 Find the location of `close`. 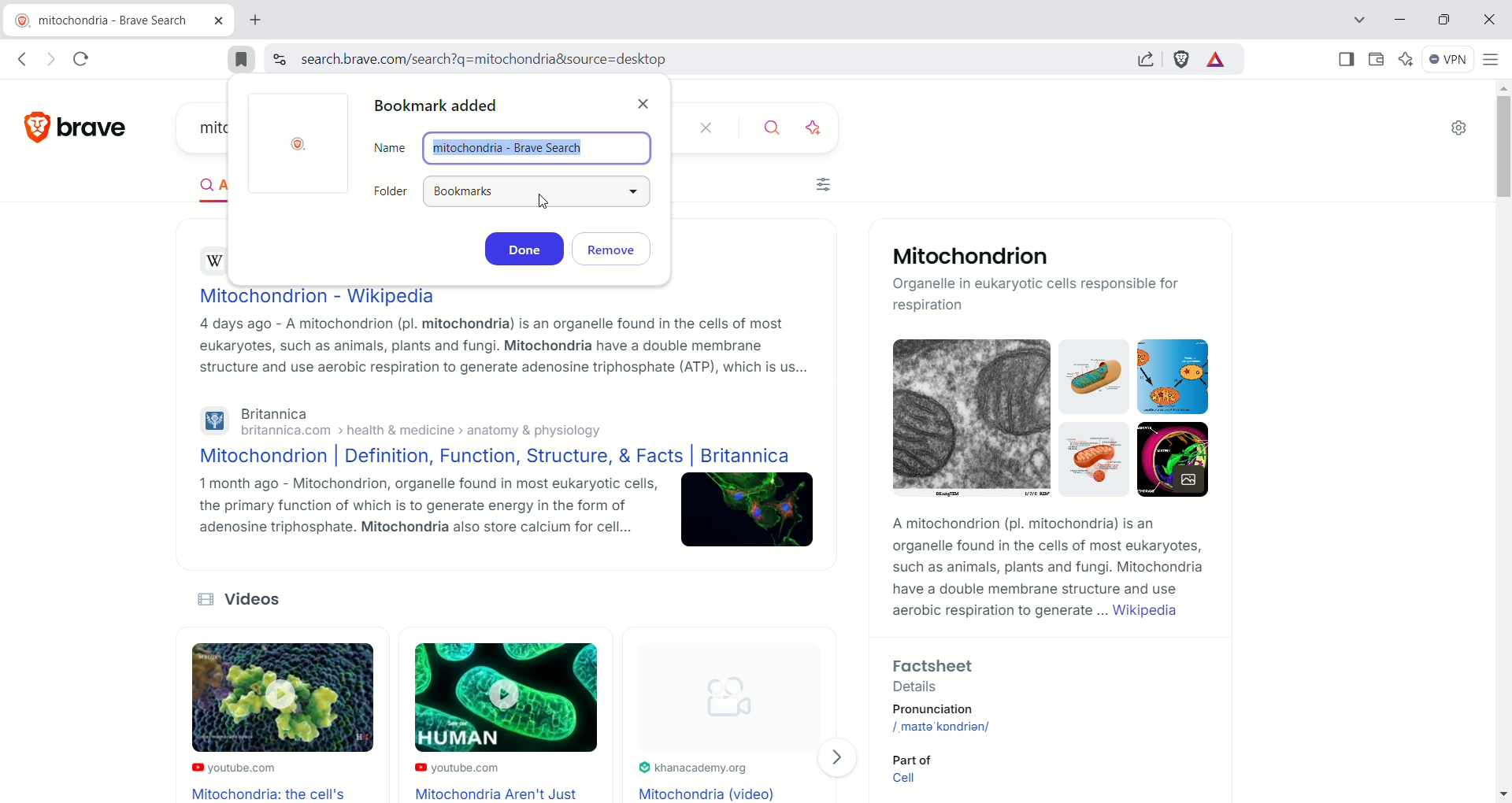

close is located at coordinates (647, 99).